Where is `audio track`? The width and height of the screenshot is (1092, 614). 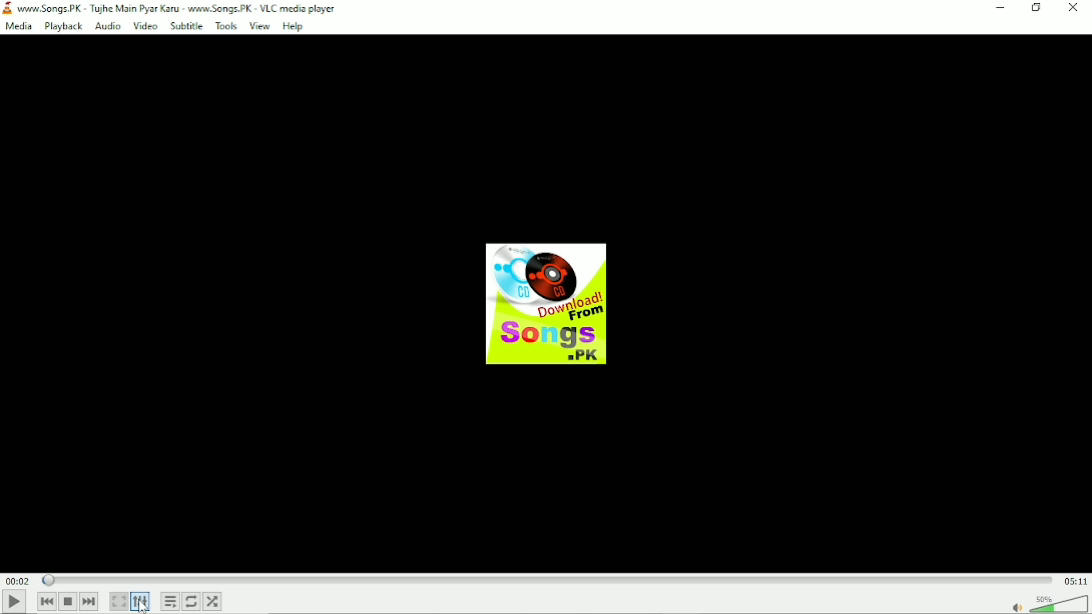 audio track is located at coordinates (548, 304).